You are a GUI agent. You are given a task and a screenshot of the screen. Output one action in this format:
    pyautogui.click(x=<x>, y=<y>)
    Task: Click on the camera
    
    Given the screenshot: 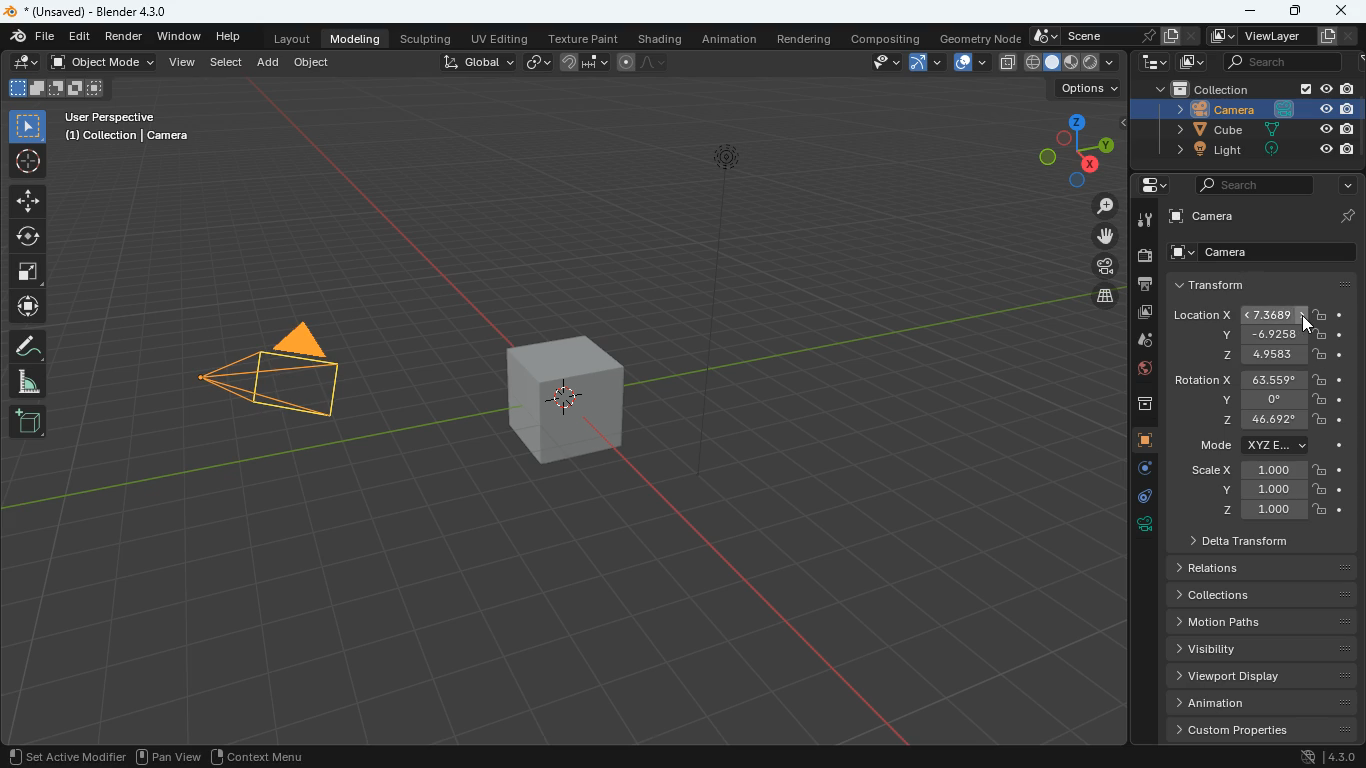 What is the action you would take?
    pyautogui.click(x=1260, y=253)
    